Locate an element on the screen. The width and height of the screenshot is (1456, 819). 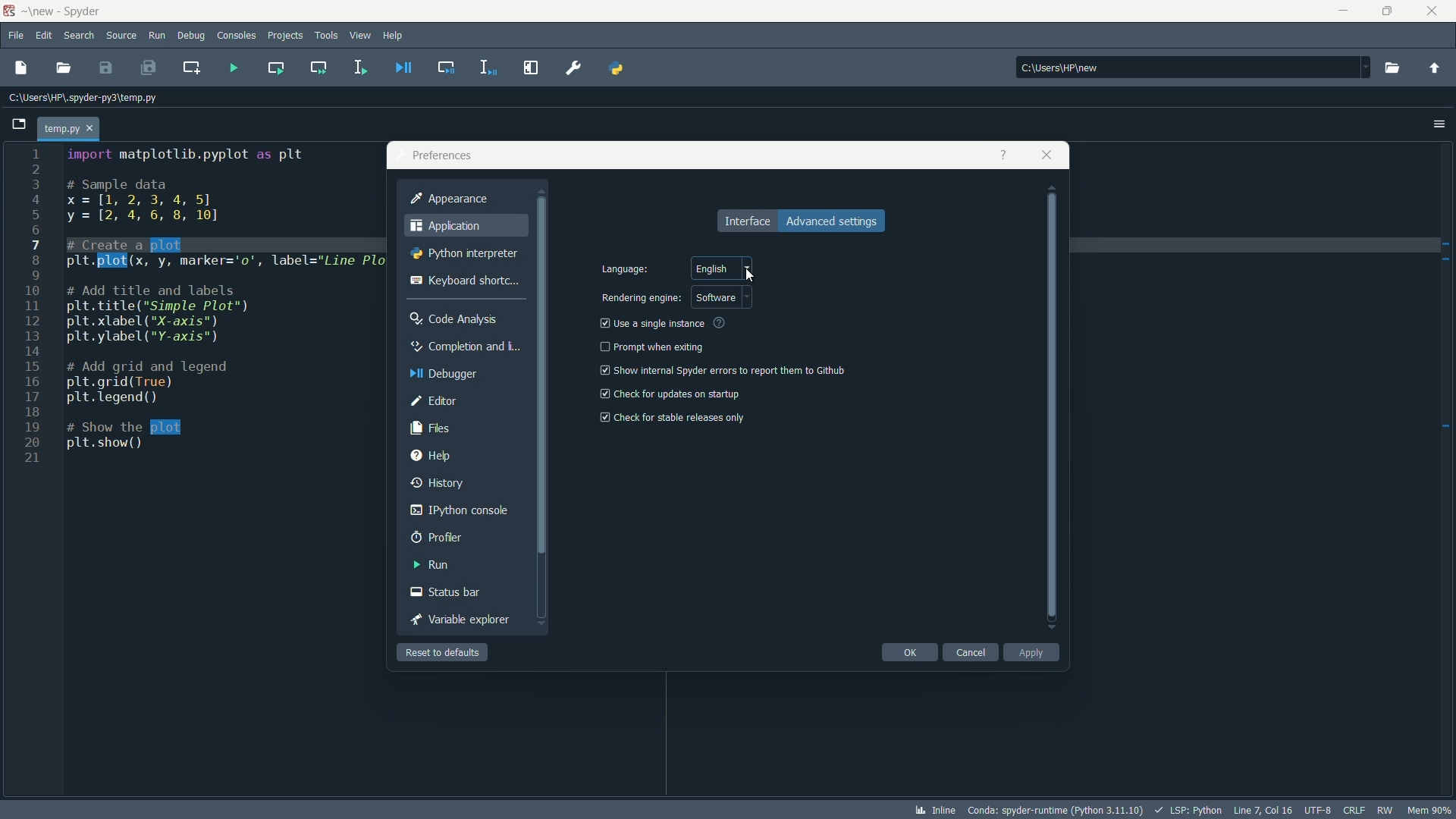
source is located at coordinates (121, 35).